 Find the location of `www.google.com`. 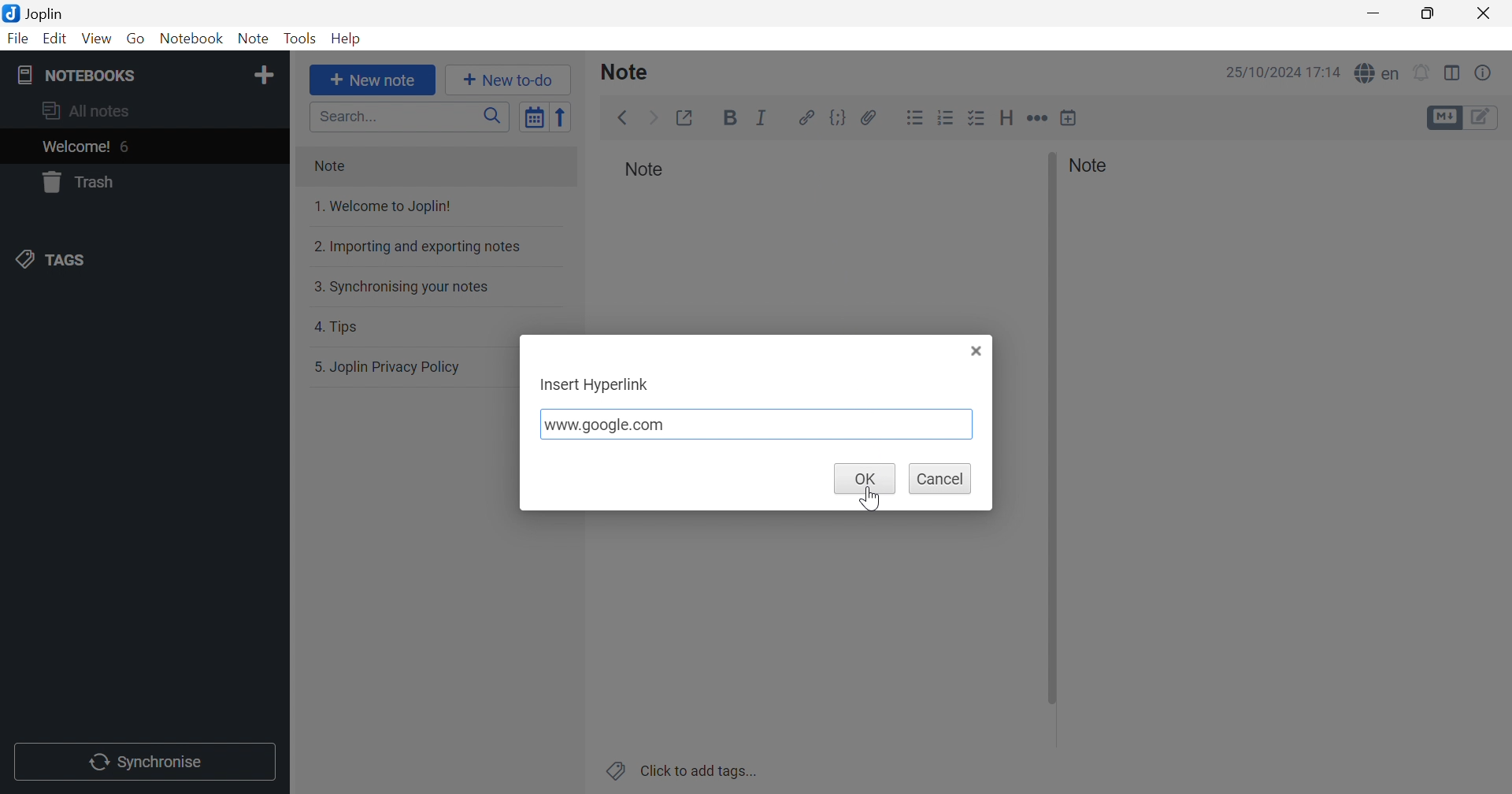

www.google.com is located at coordinates (758, 423).